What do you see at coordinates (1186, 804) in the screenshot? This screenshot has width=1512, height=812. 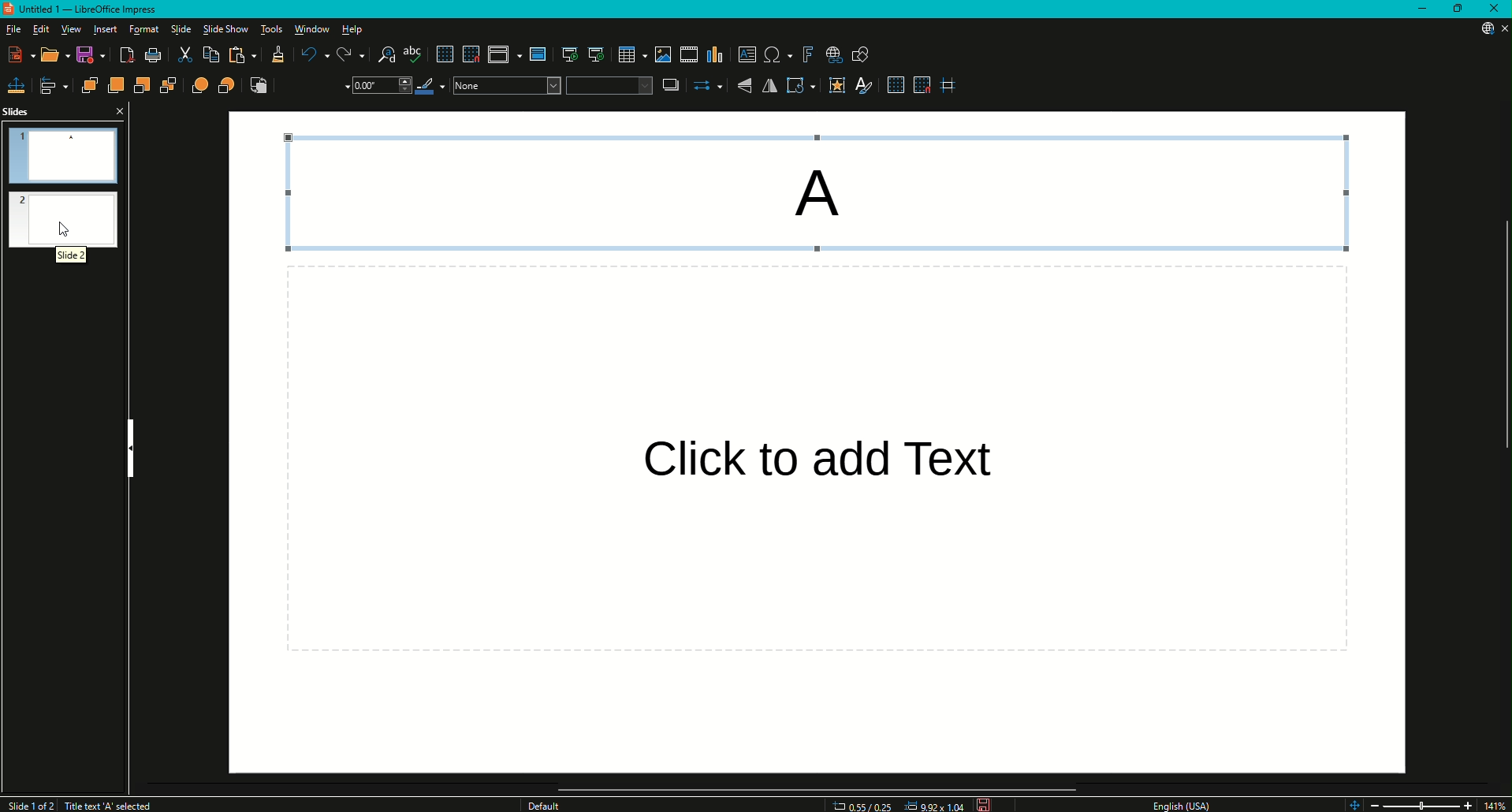 I see `English USA` at bounding box center [1186, 804].